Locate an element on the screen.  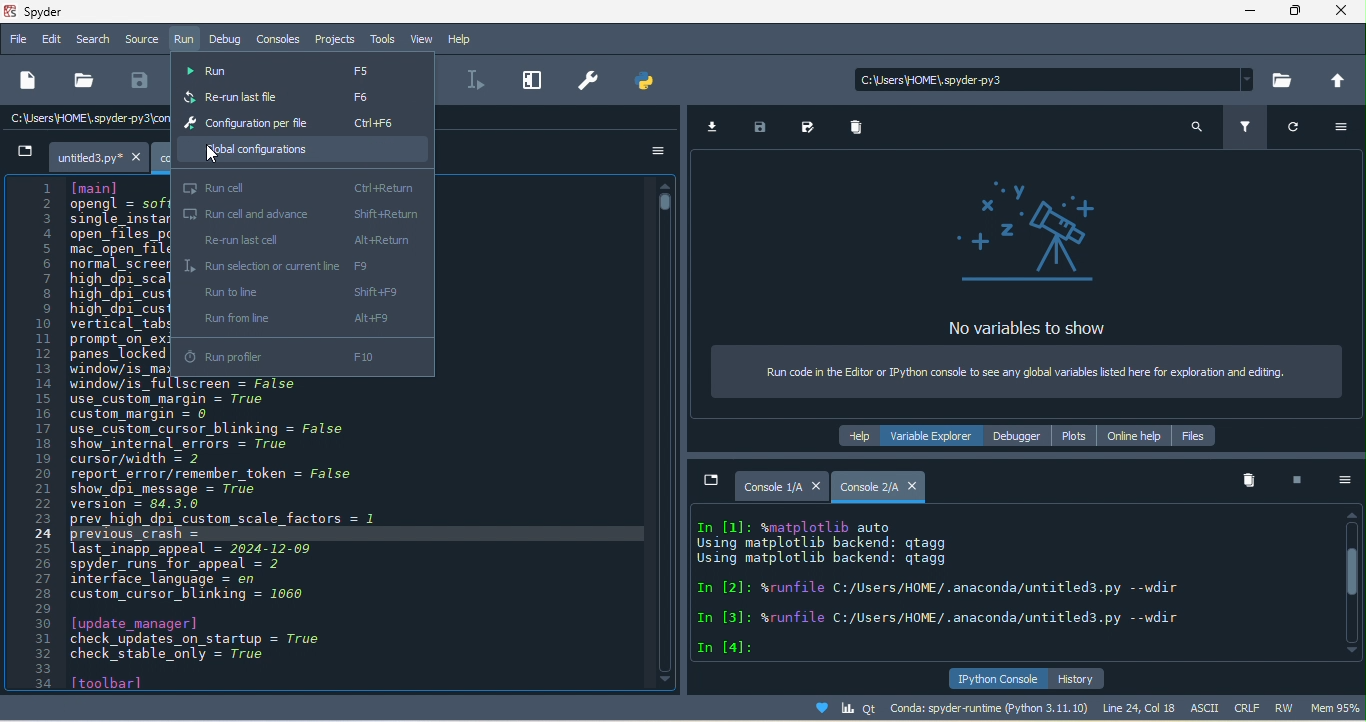
plots is located at coordinates (1072, 436).